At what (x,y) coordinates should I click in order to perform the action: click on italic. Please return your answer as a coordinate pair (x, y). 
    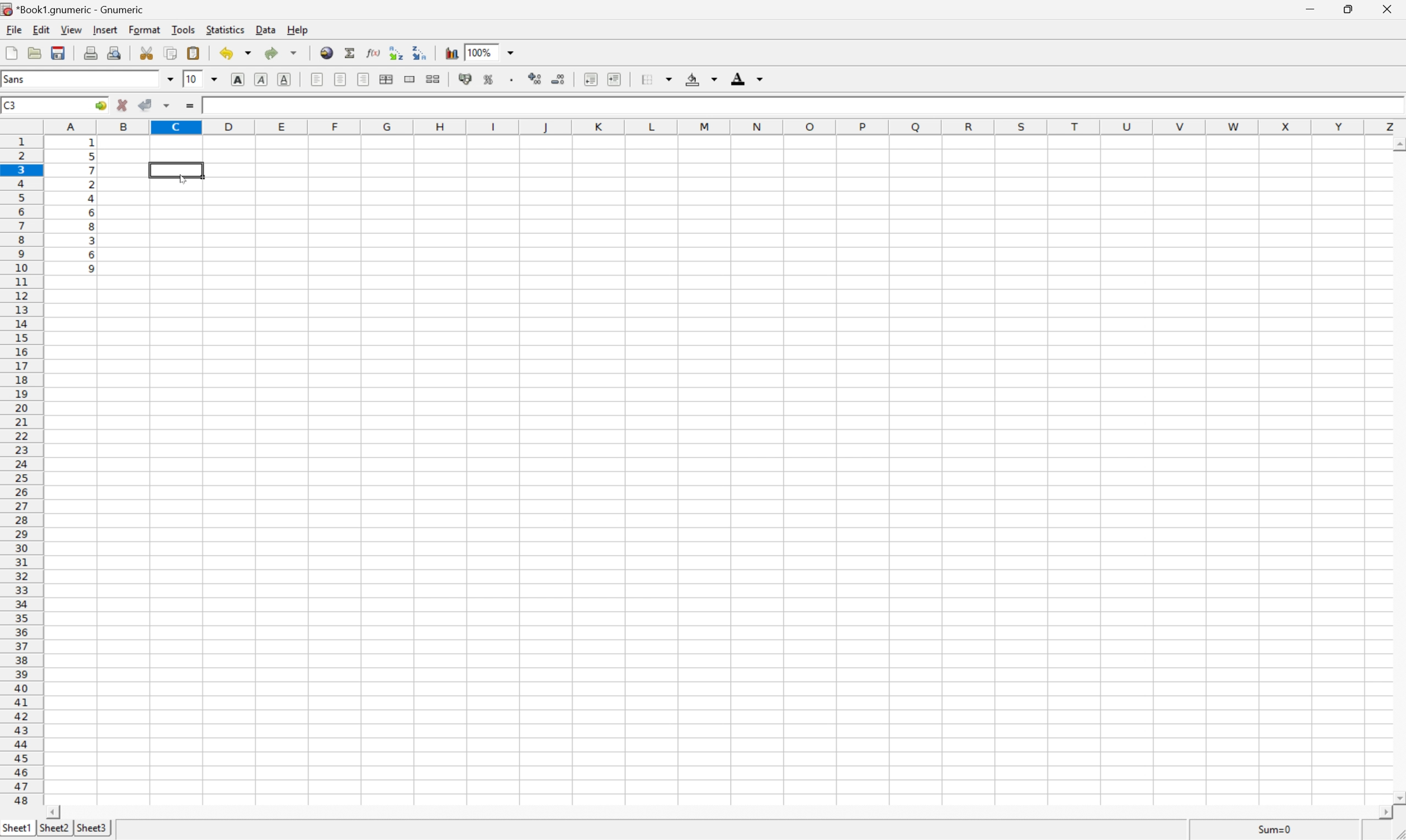
    Looking at the image, I should click on (260, 79).